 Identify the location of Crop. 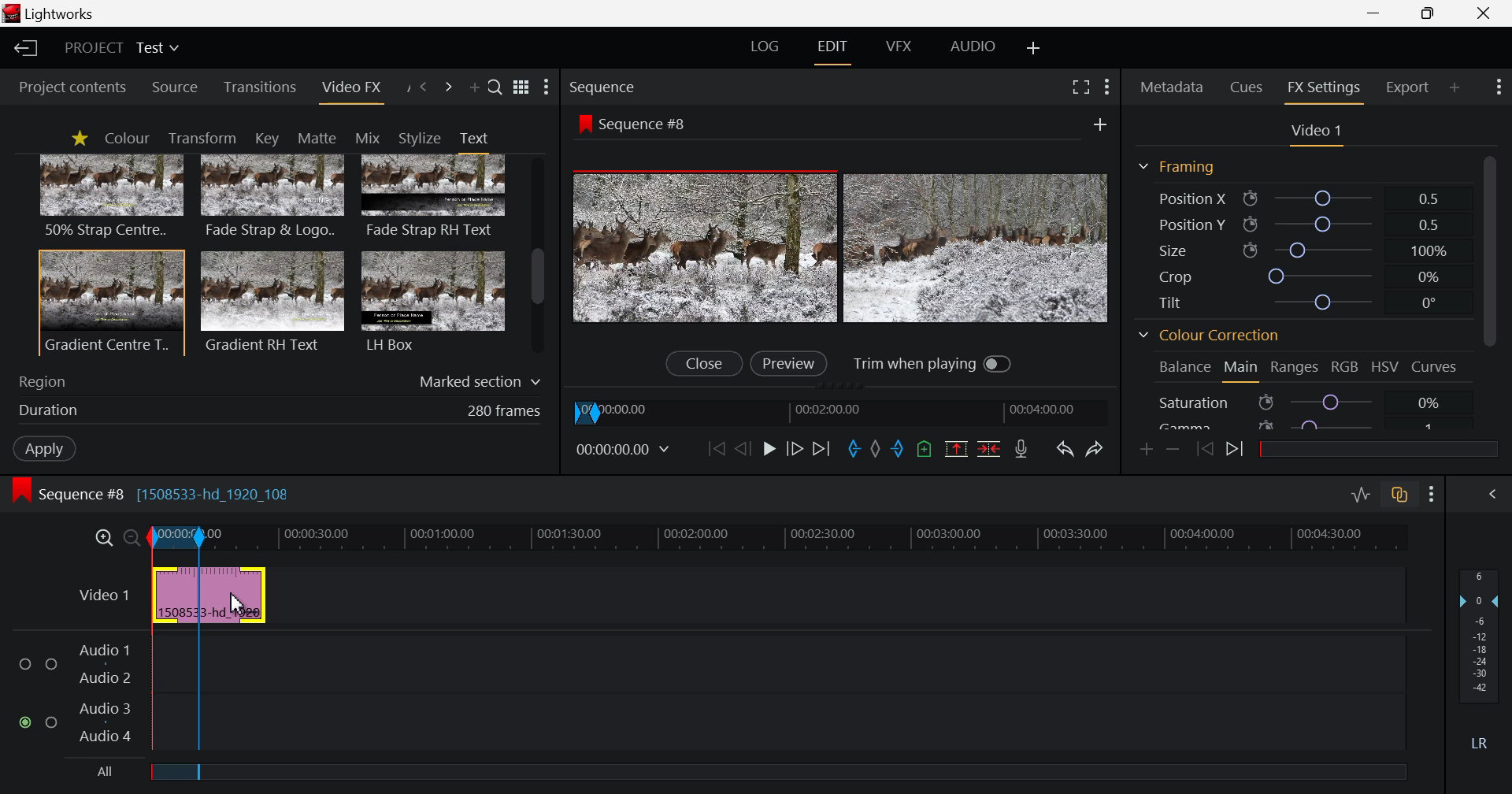
(1301, 276).